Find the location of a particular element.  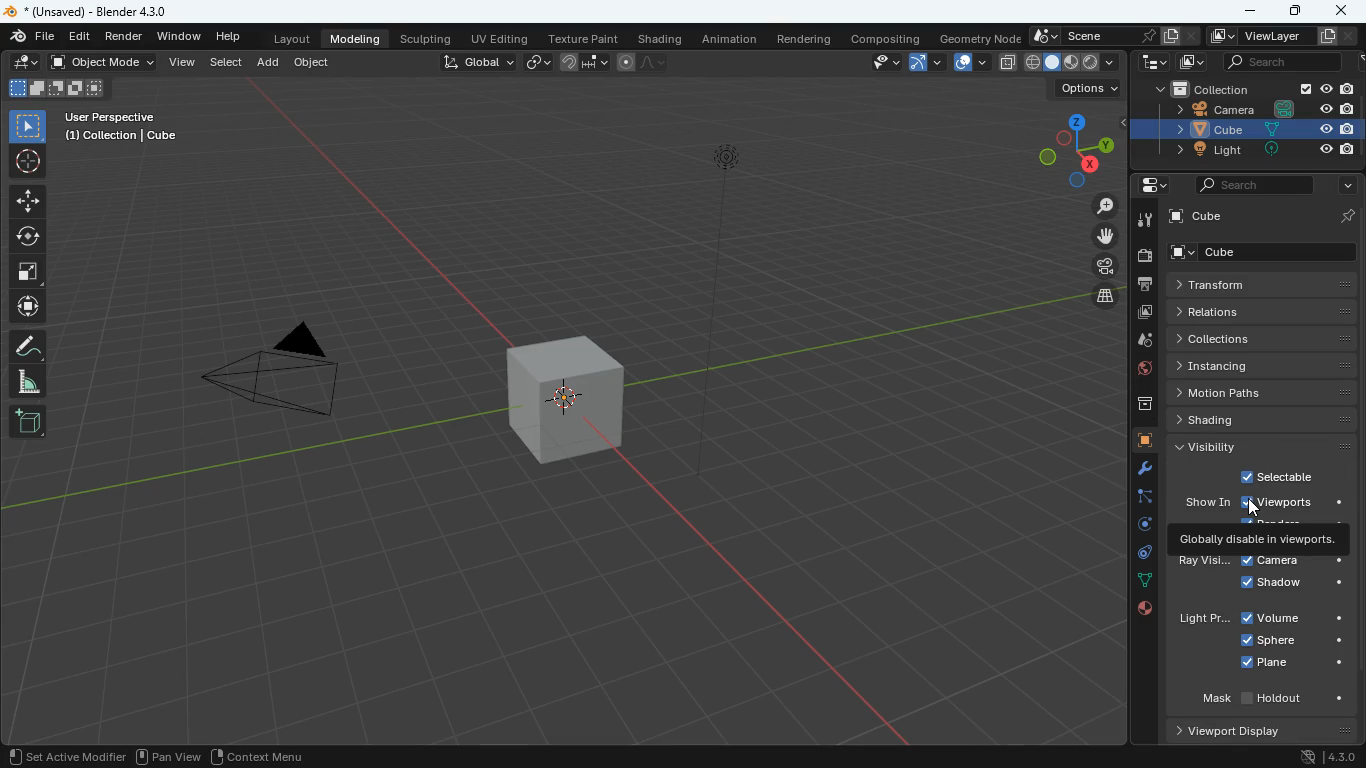

camera is located at coordinates (1248, 110).